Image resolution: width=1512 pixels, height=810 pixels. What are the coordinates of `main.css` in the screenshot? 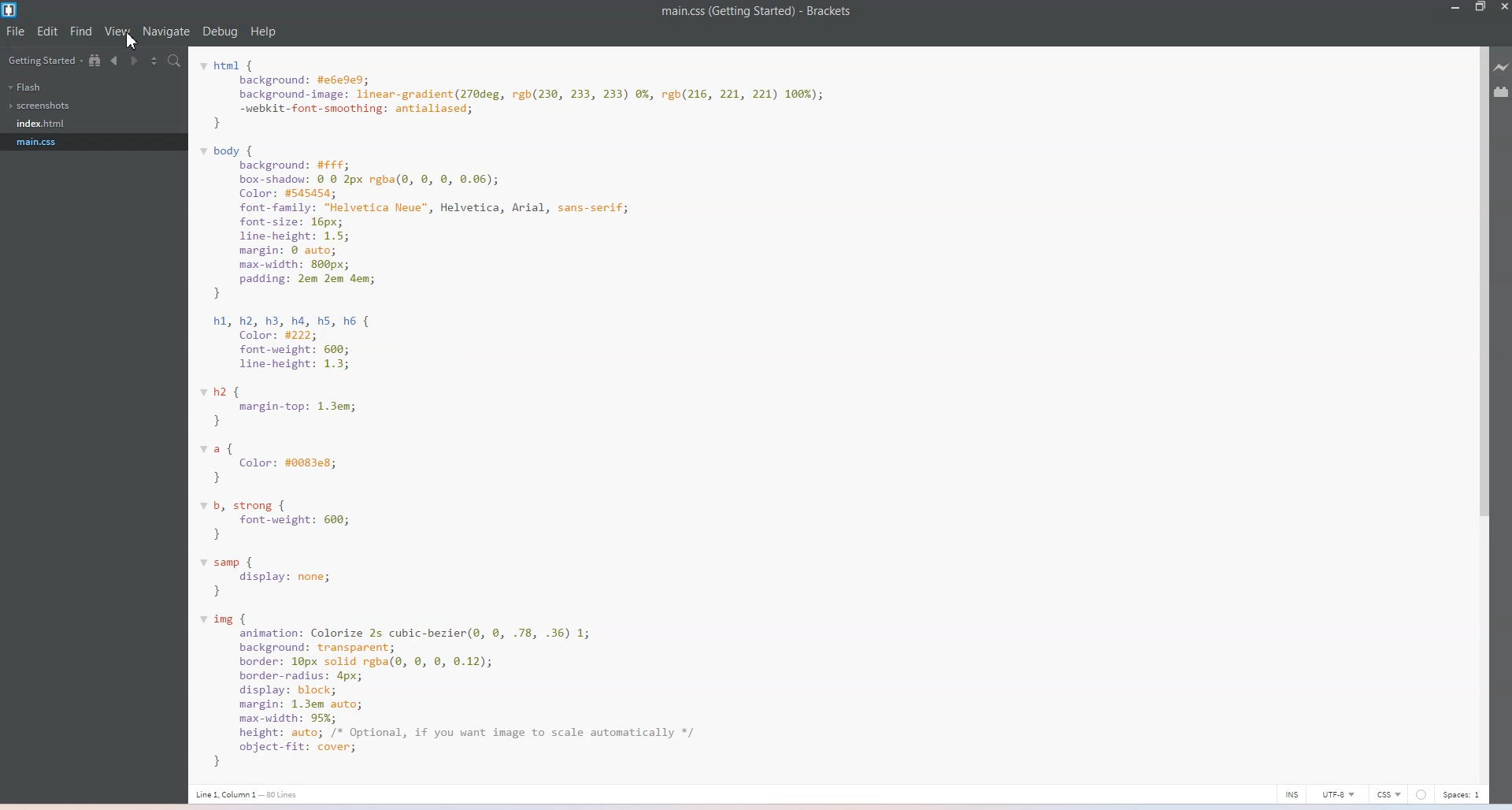 It's located at (43, 141).